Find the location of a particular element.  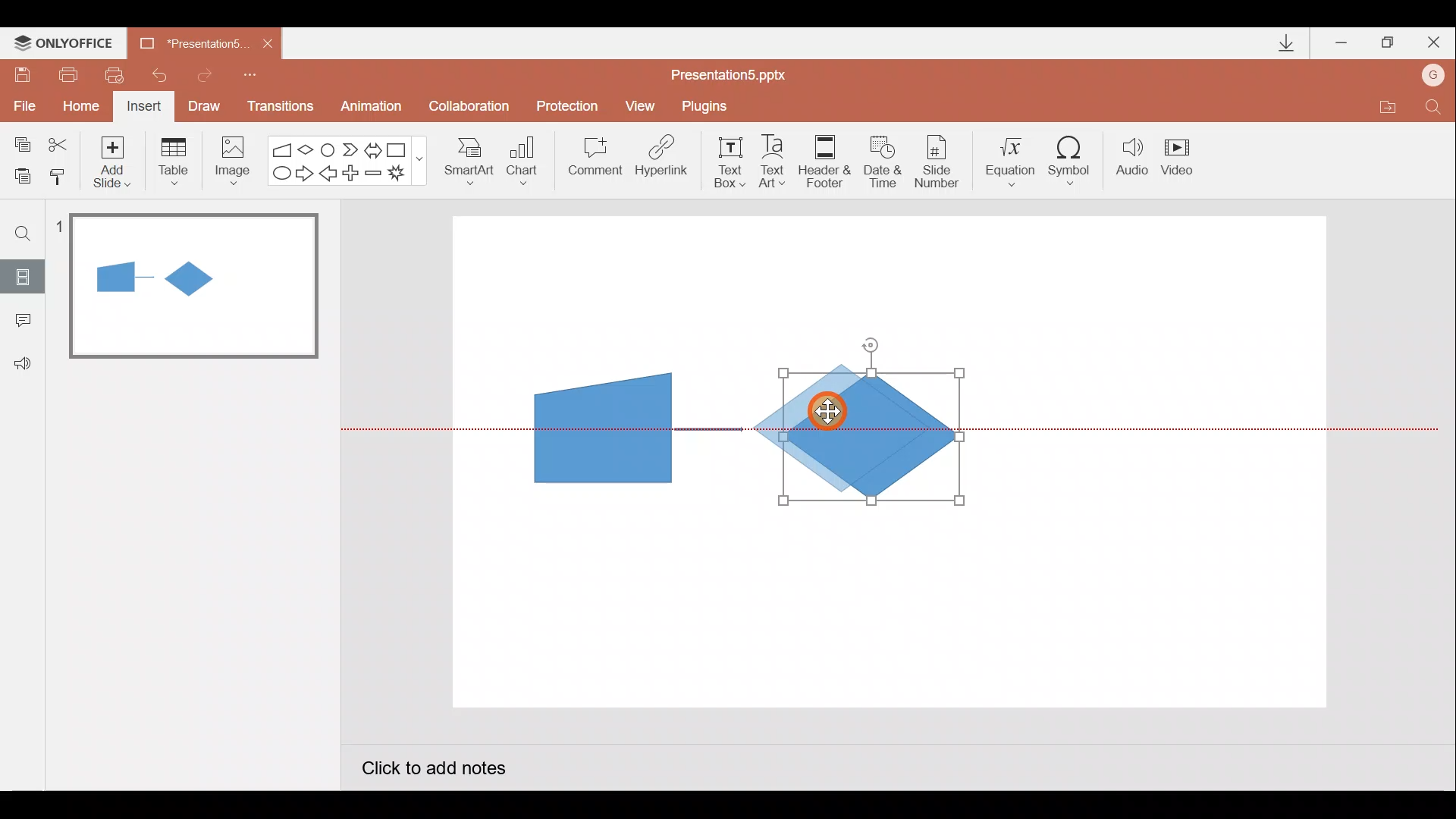

Header & footer is located at coordinates (824, 160).